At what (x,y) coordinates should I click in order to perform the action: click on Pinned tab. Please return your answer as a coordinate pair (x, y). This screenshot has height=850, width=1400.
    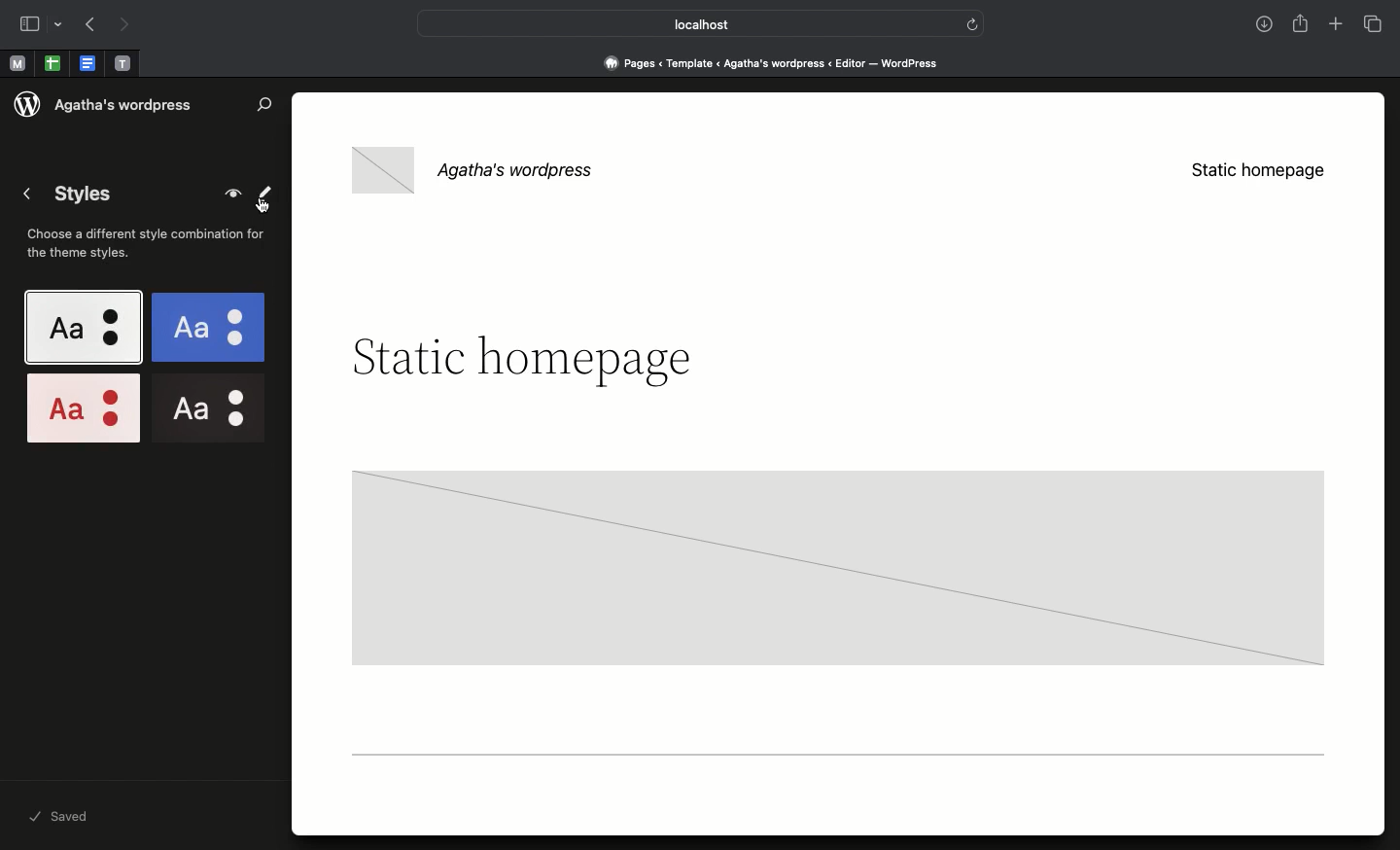
    Looking at the image, I should click on (17, 64).